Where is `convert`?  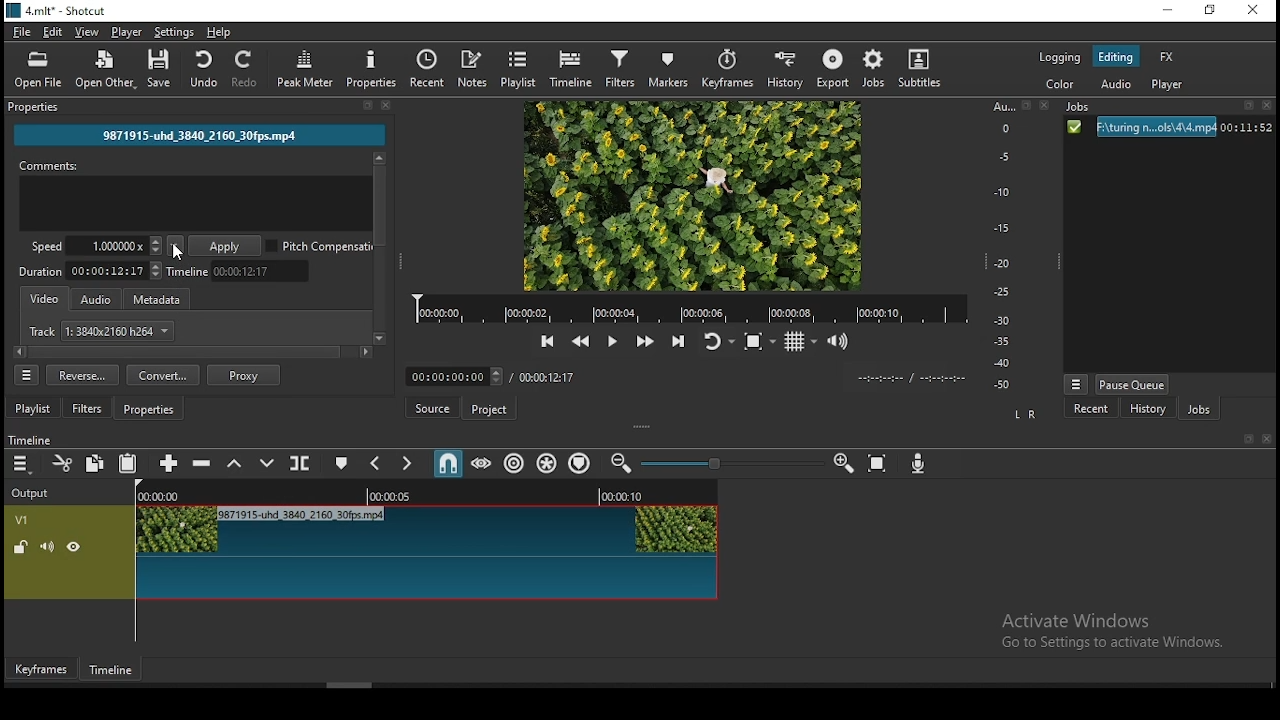 convert is located at coordinates (162, 375).